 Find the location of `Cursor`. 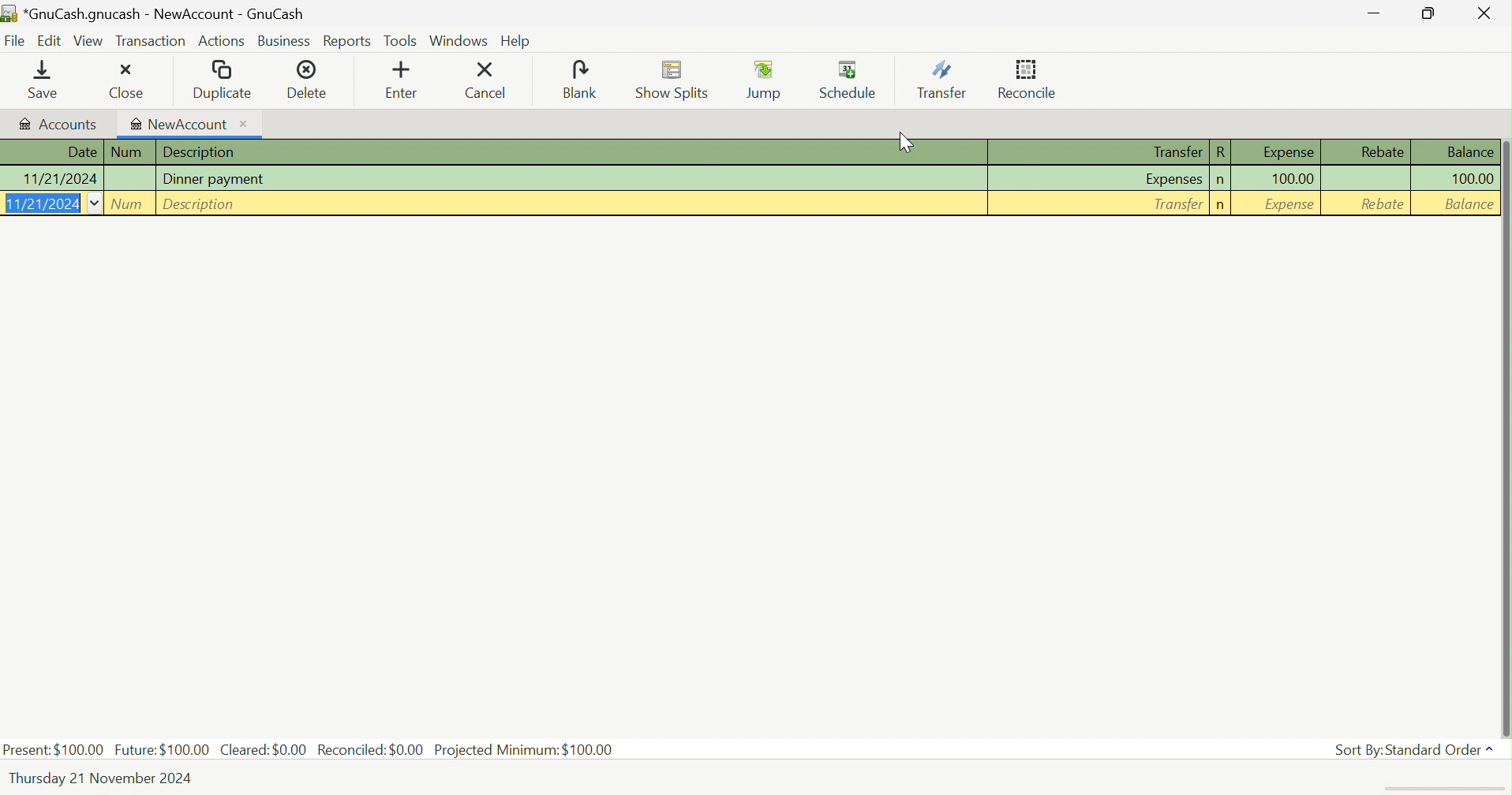

Cursor is located at coordinates (905, 141).